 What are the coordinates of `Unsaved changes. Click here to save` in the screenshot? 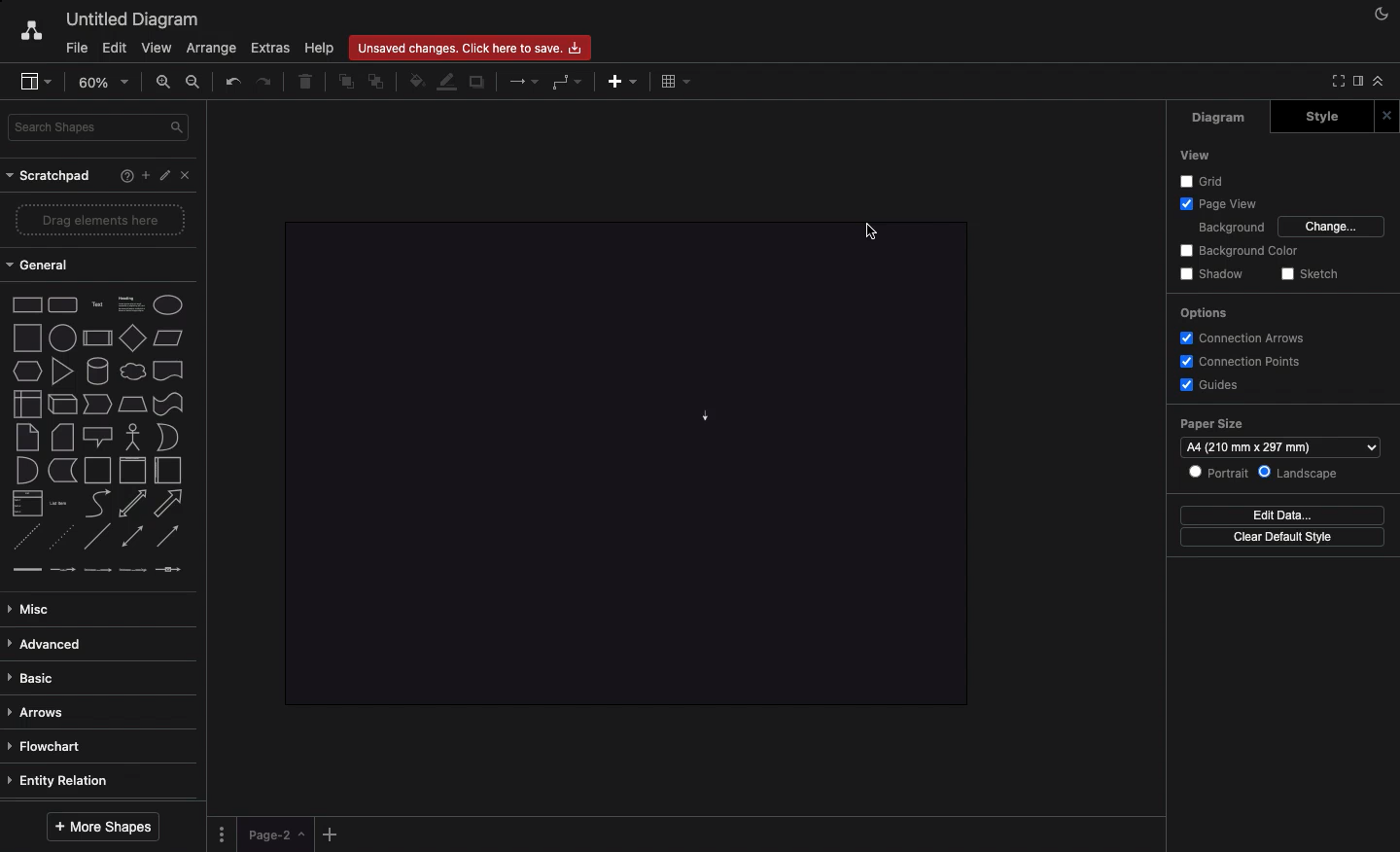 It's located at (472, 47).